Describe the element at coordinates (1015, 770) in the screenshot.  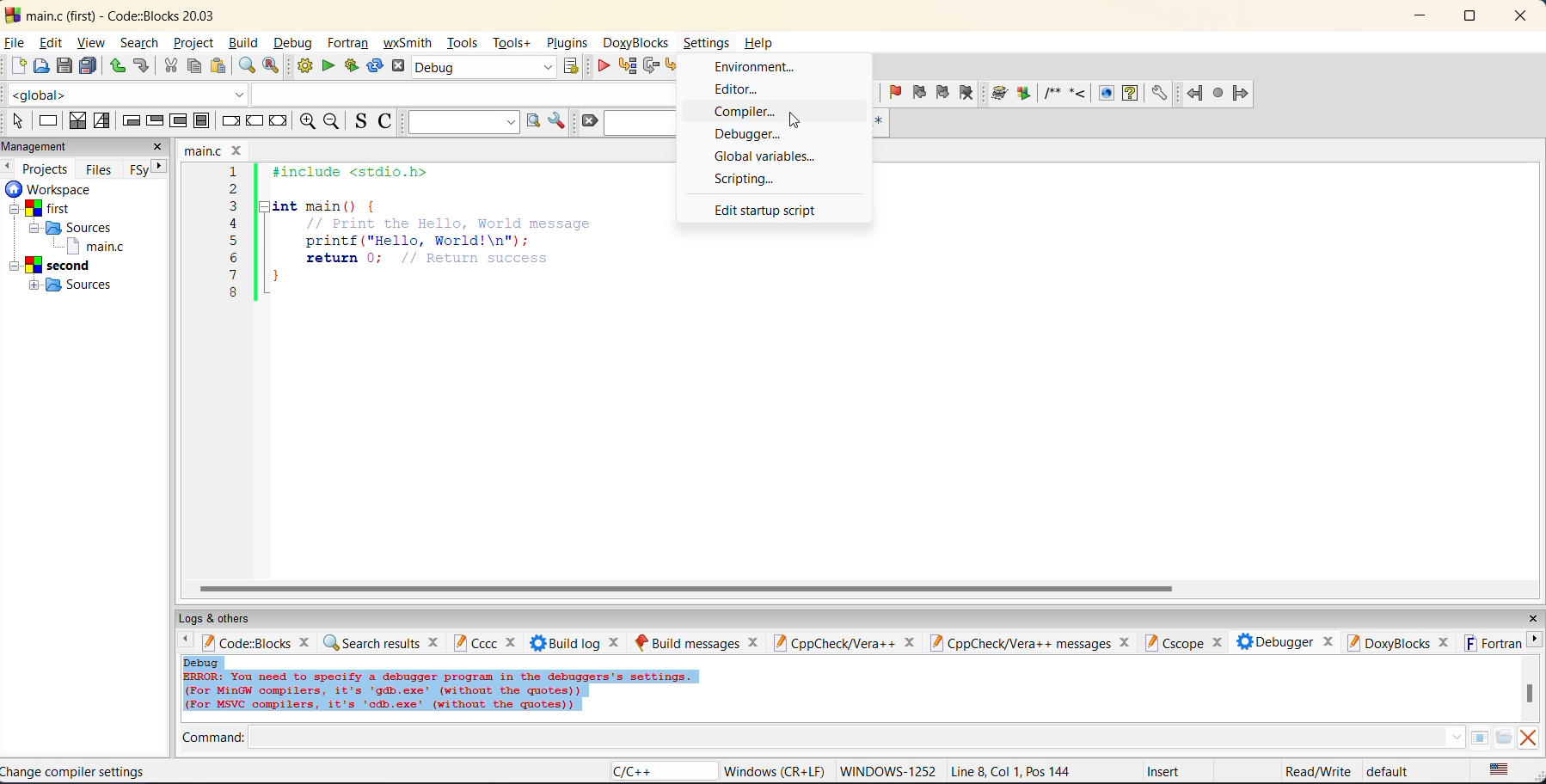
I see `Line 8, Col 1, Pos 144` at that location.